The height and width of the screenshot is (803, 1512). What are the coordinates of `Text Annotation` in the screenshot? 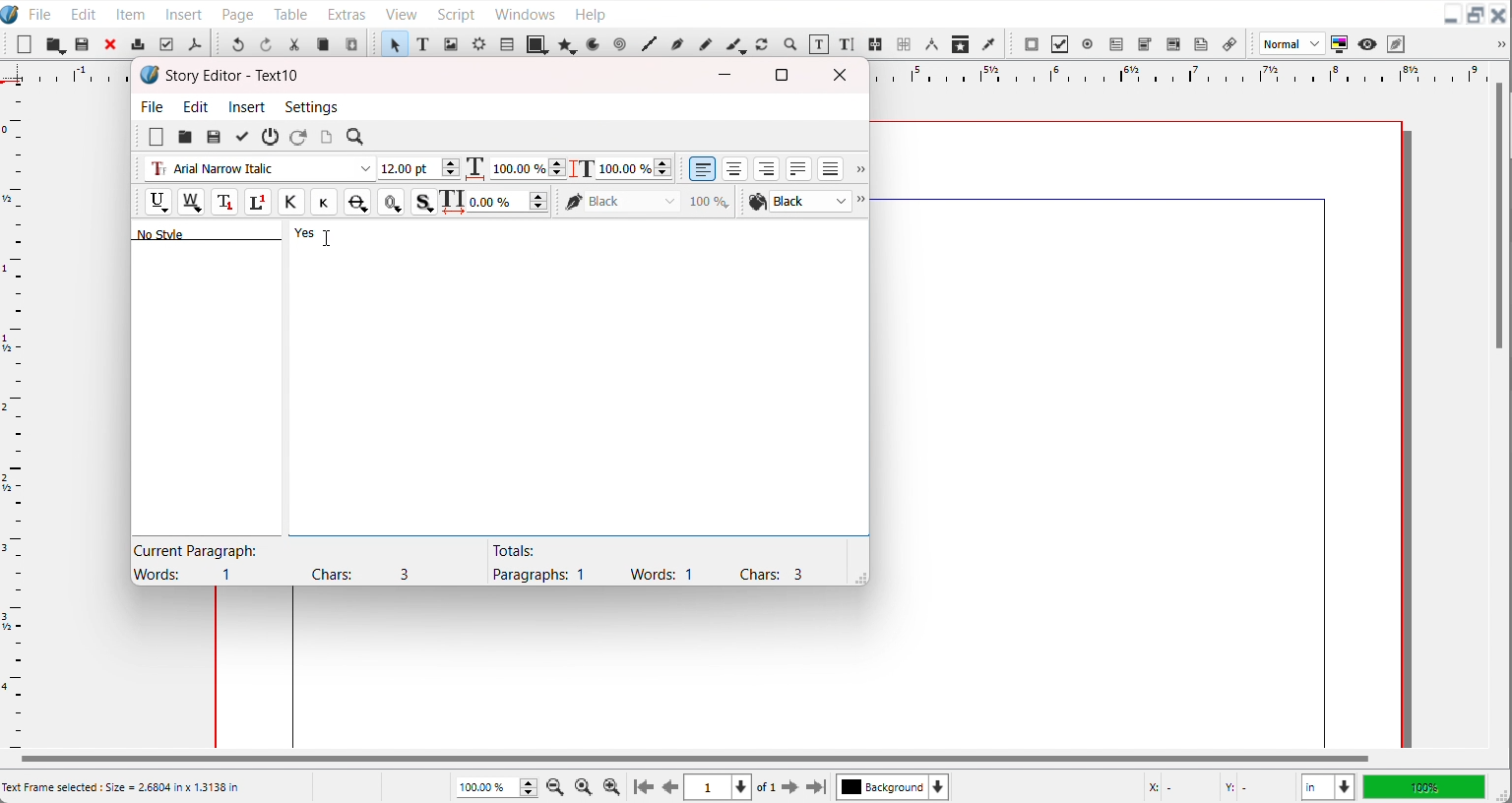 It's located at (1201, 44).